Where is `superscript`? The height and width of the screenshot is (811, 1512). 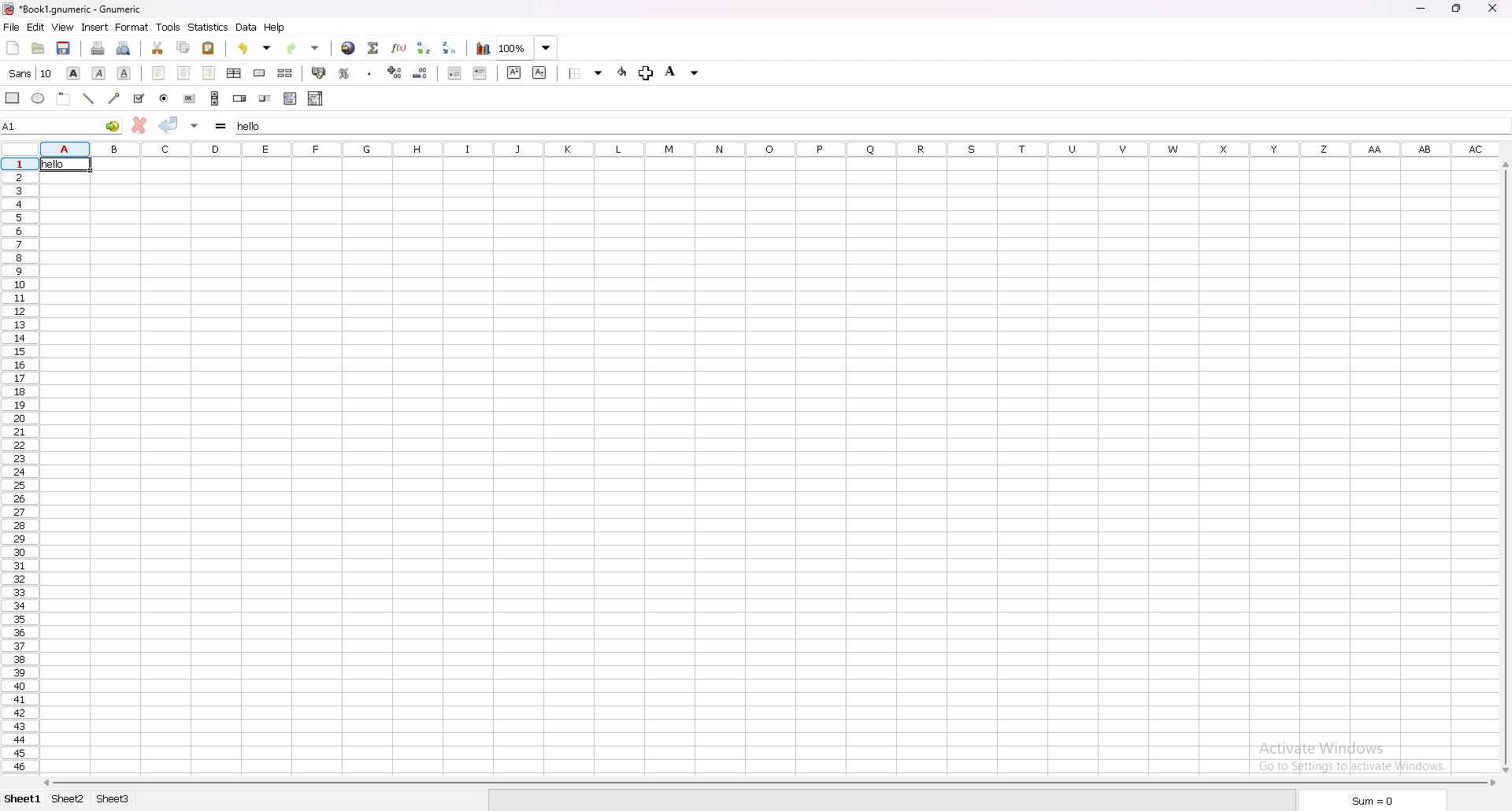 superscript is located at coordinates (515, 72).